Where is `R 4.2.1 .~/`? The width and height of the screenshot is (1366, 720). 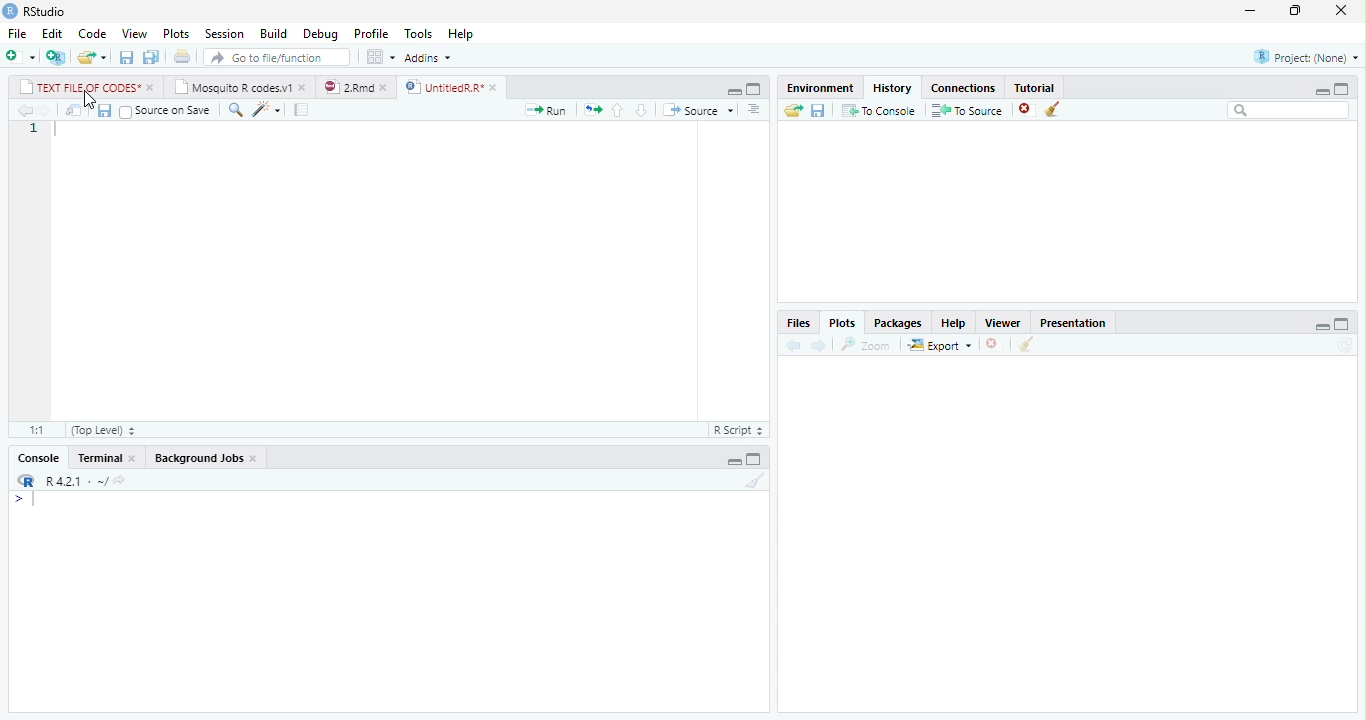
R 4.2.1 .~/ is located at coordinates (73, 479).